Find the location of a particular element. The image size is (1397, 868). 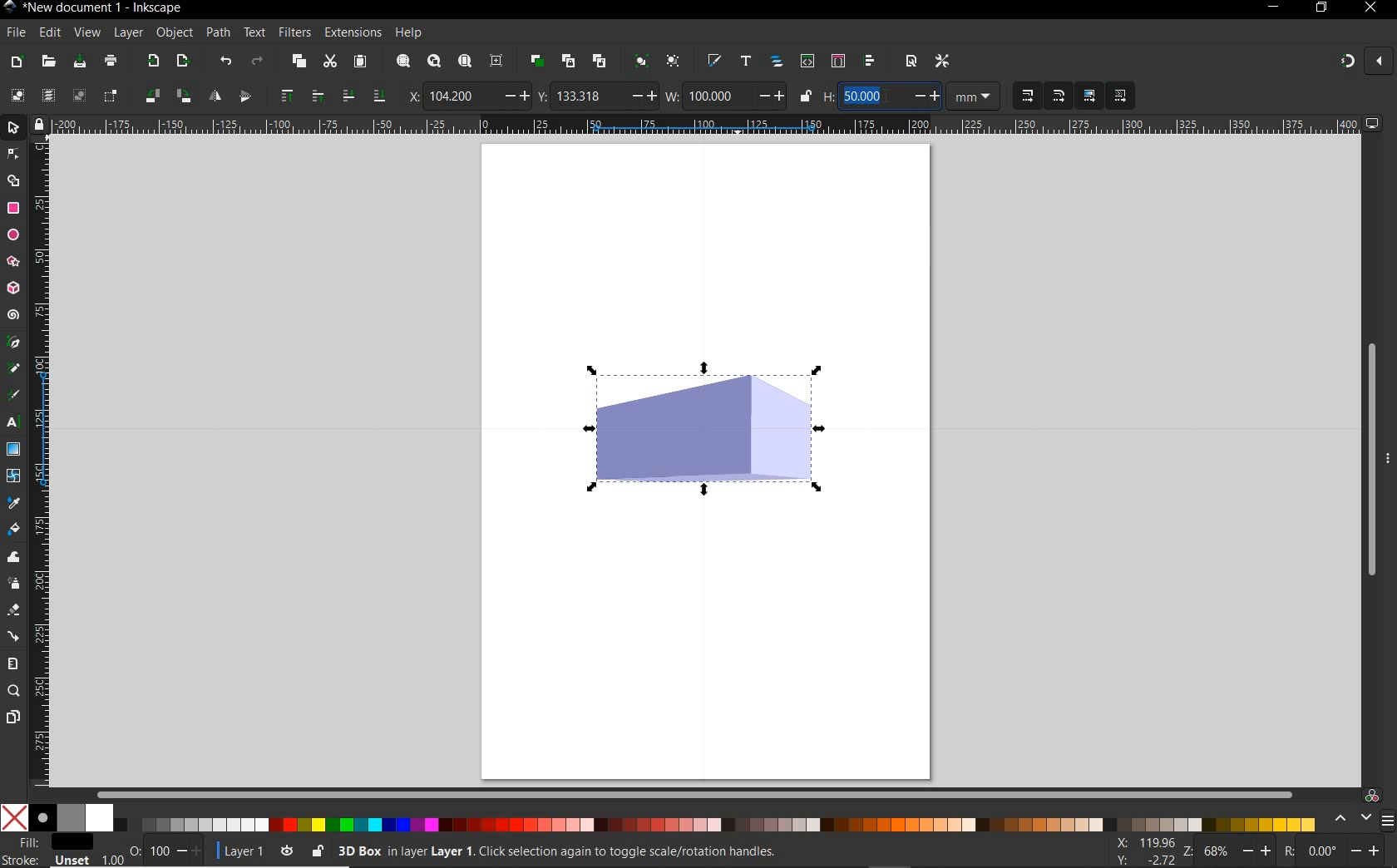

new is located at coordinates (15, 61).